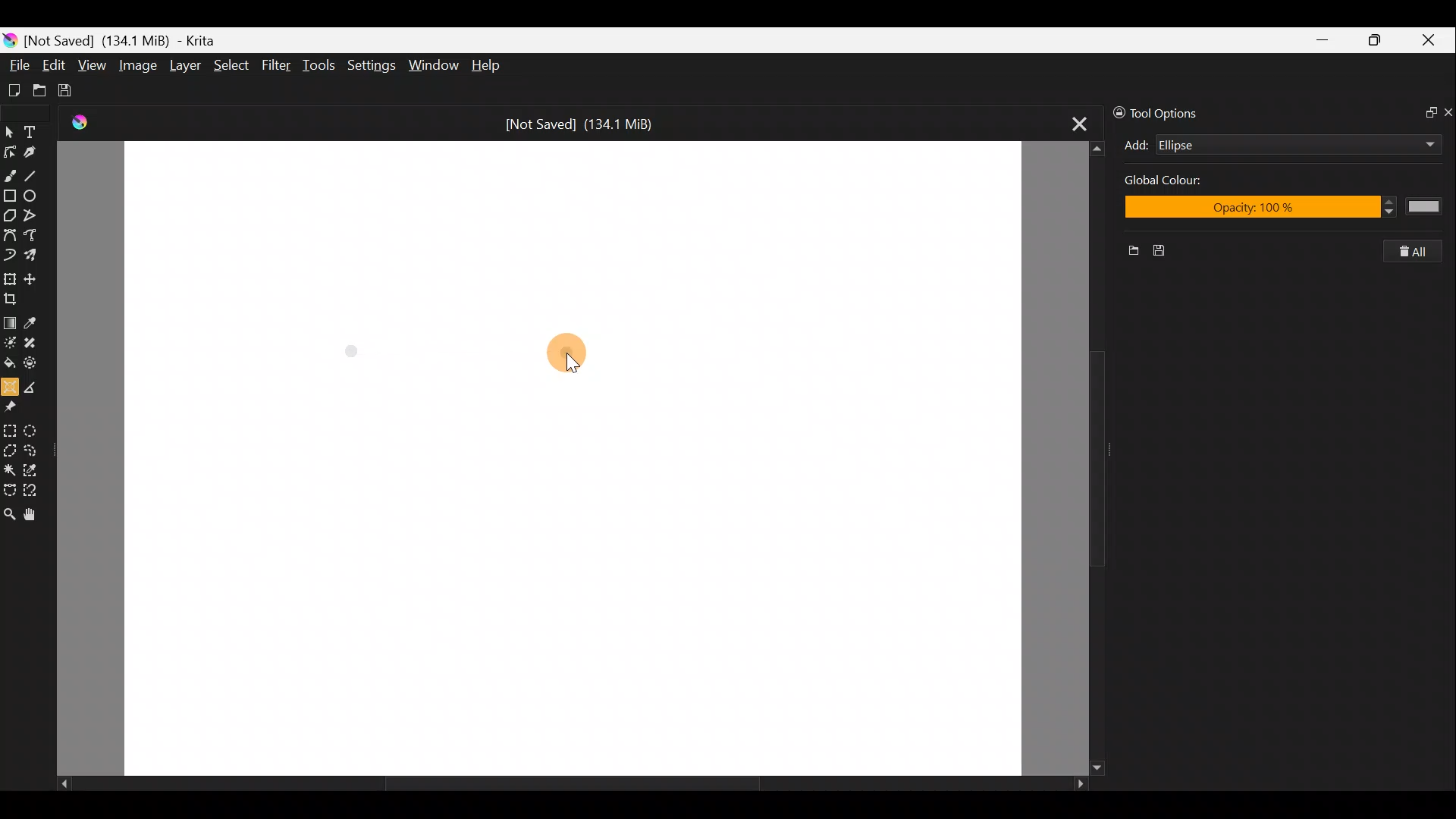 This screenshot has width=1456, height=819. I want to click on Polyline, so click(35, 216).